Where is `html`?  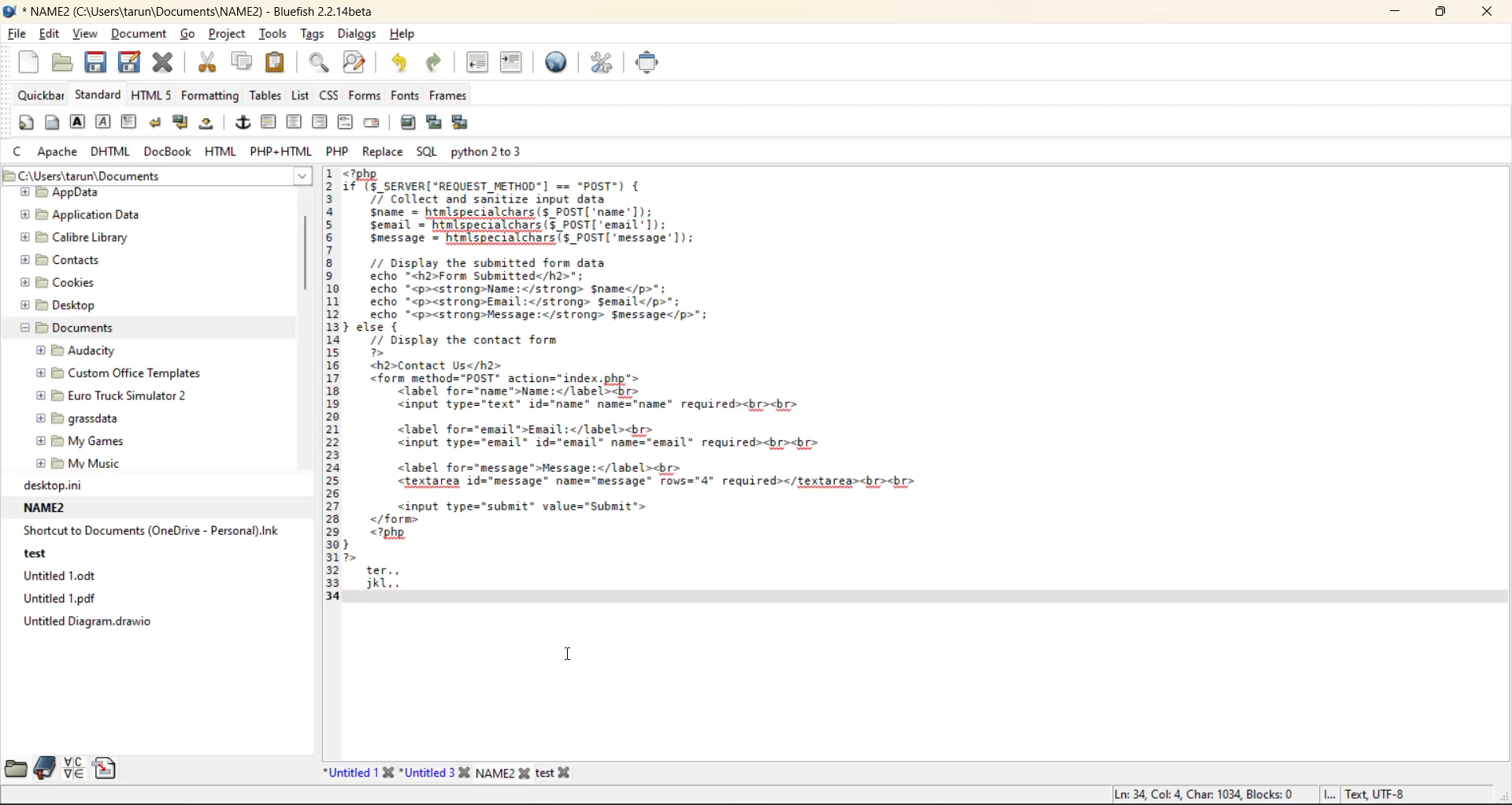
html is located at coordinates (224, 151).